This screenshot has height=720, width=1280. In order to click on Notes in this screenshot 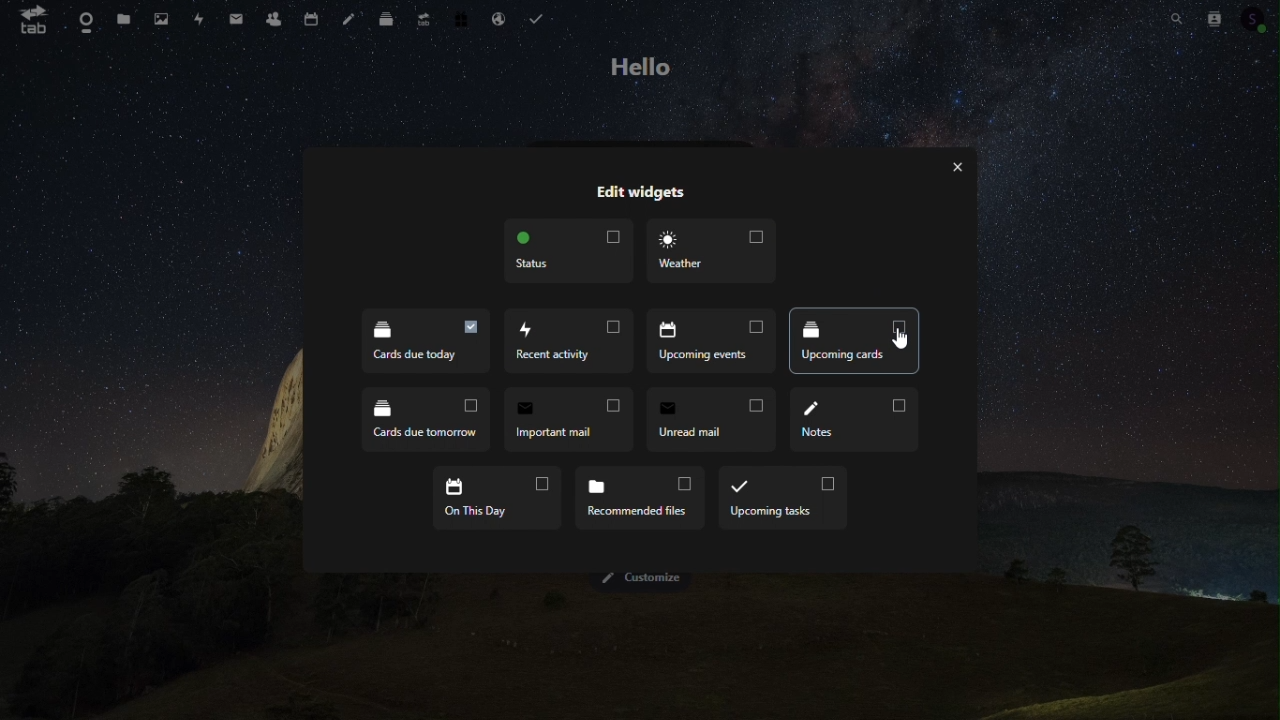, I will do `click(852, 424)`.